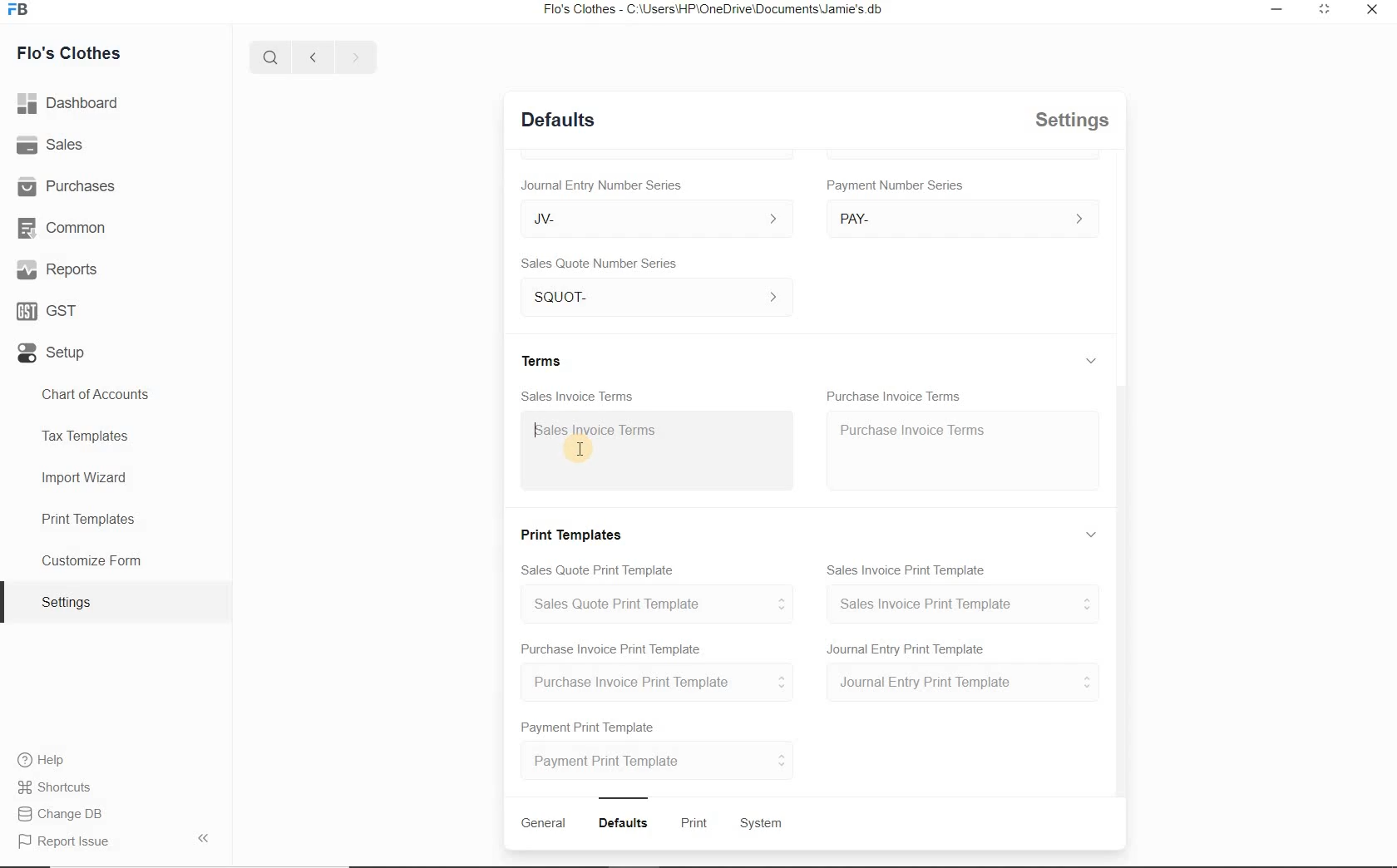 The height and width of the screenshot is (868, 1397). I want to click on Search, so click(268, 55).